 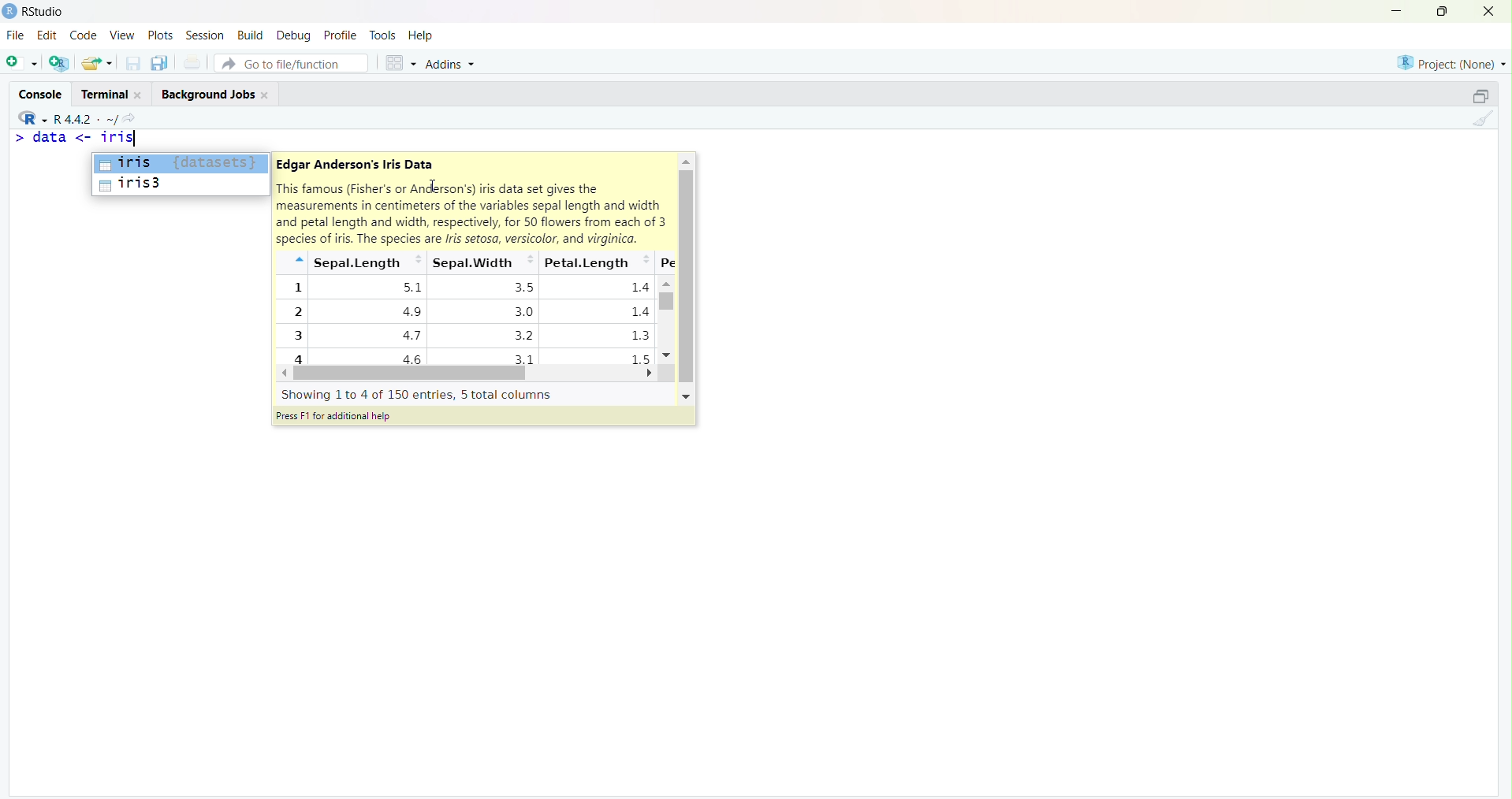 I want to click on Help, so click(x=422, y=36).